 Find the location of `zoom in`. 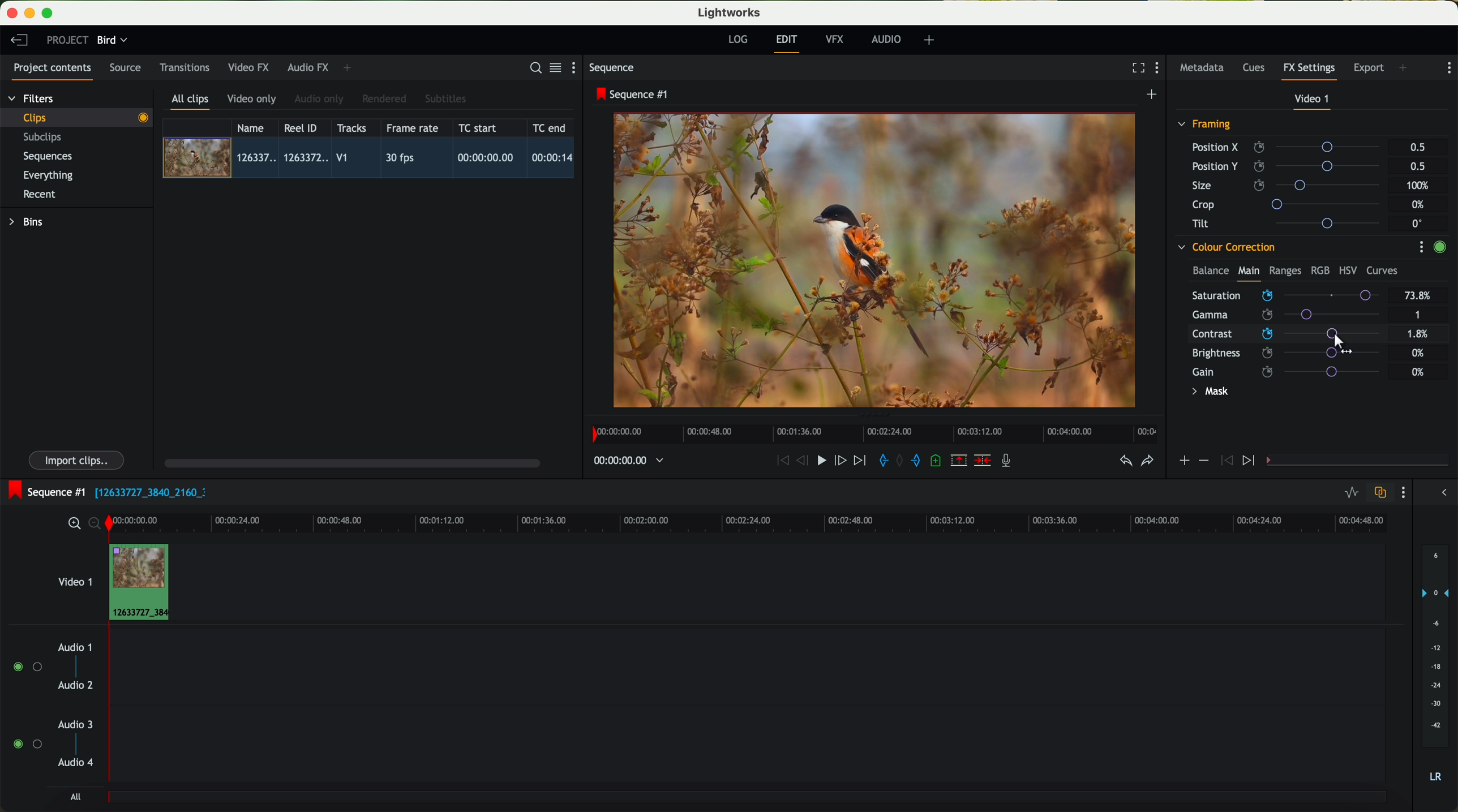

zoom in is located at coordinates (72, 524).